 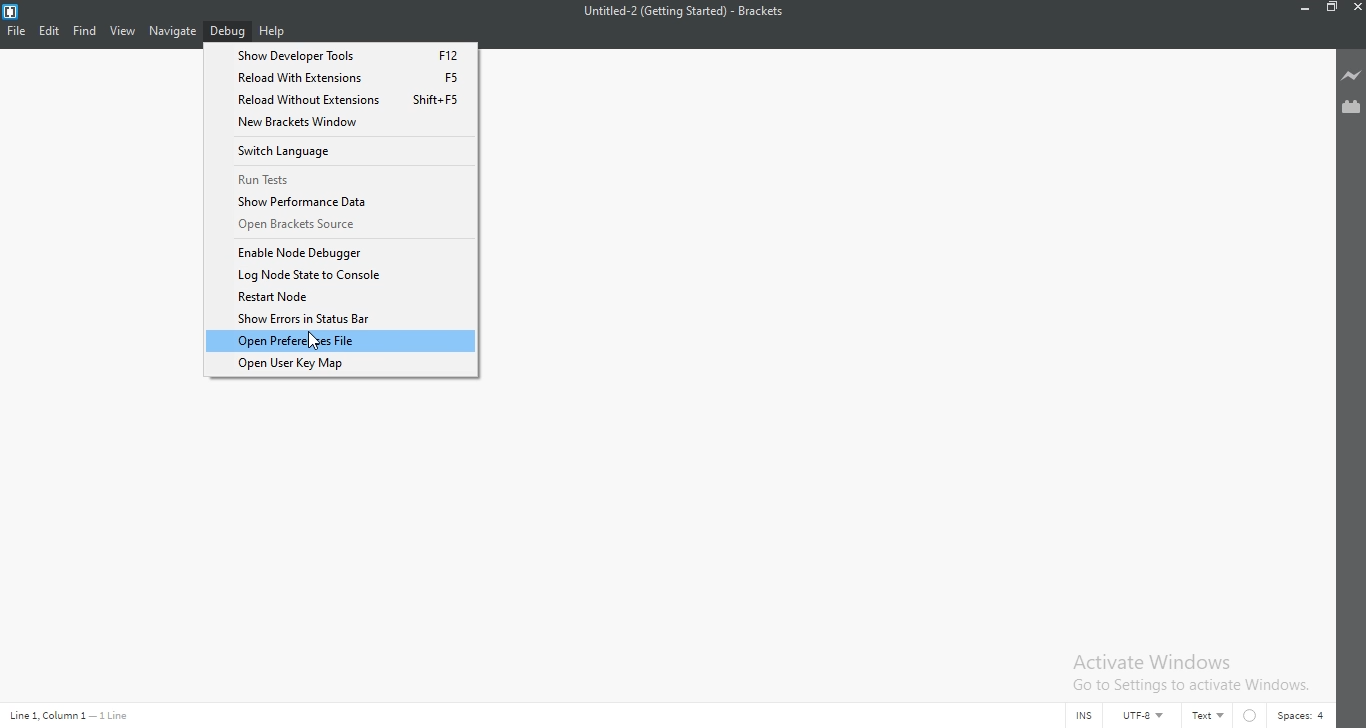 I want to click on Open Brackets Source, so click(x=342, y=225).